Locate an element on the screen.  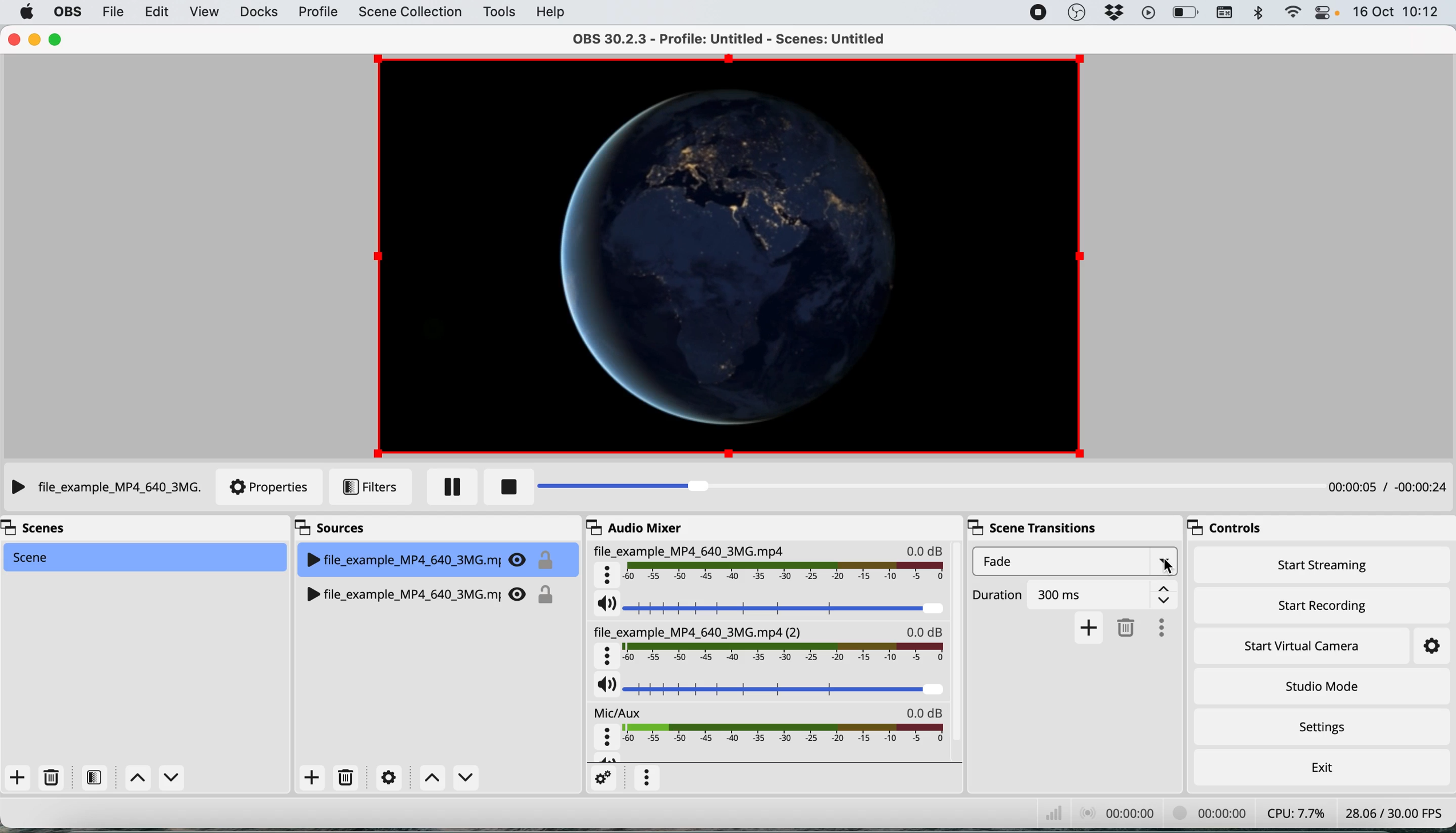
filters is located at coordinates (368, 489).